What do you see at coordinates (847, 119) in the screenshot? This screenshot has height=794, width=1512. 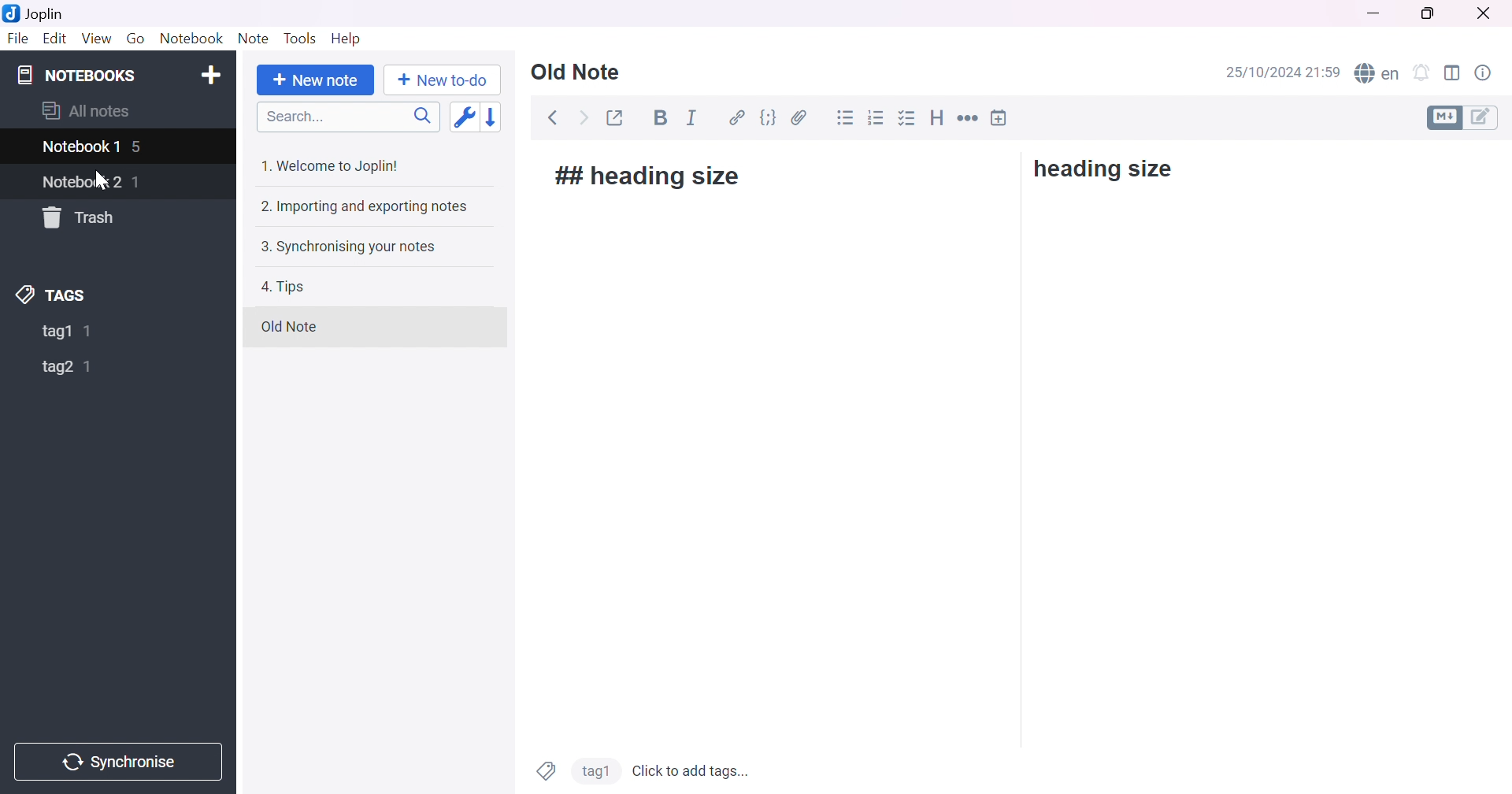 I see `Bulleted list` at bounding box center [847, 119].